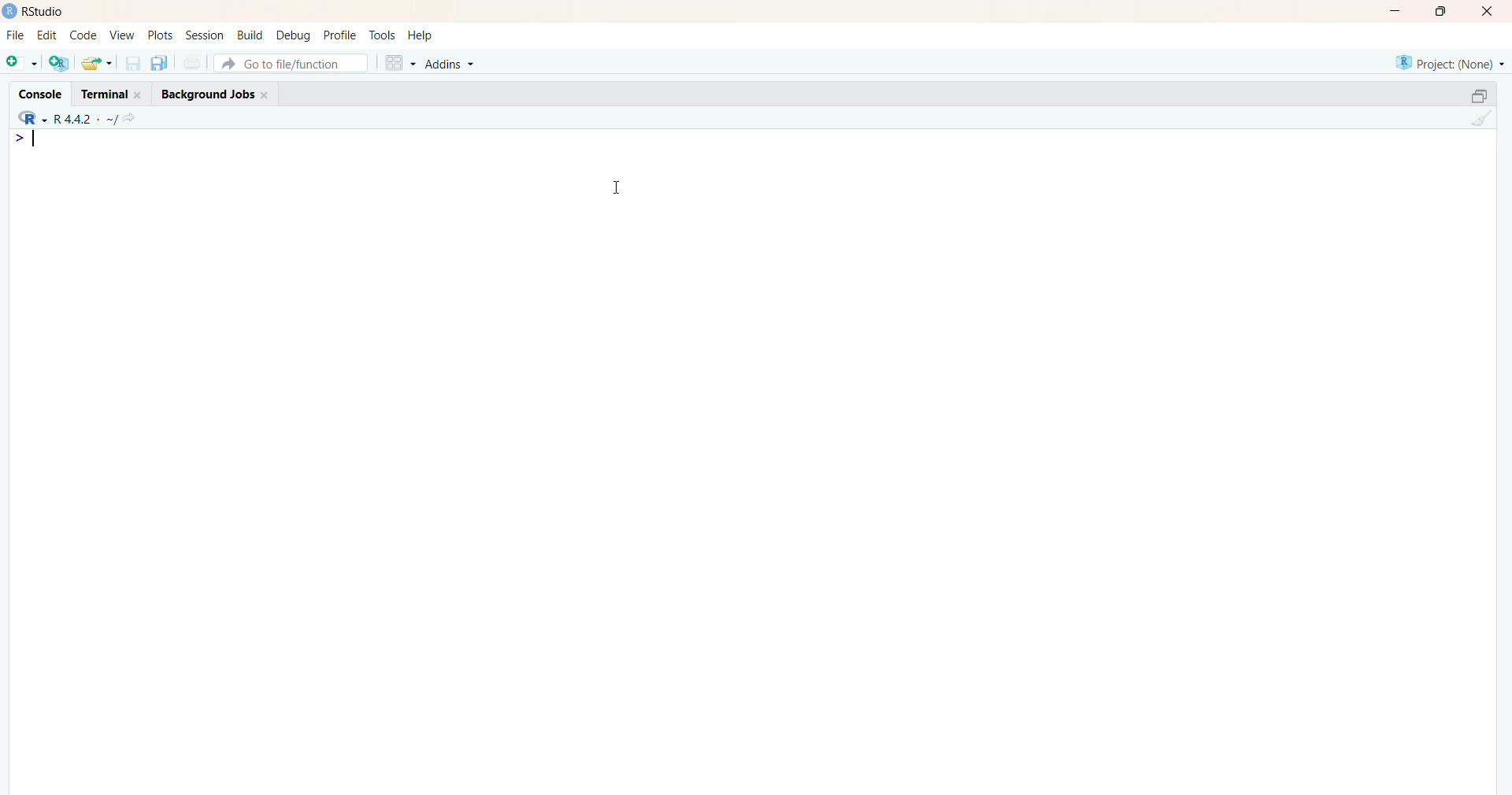 The image size is (1512, 795). What do you see at coordinates (133, 65) in the screenshot?
I see `save current document` at bounding box center [133, 65].